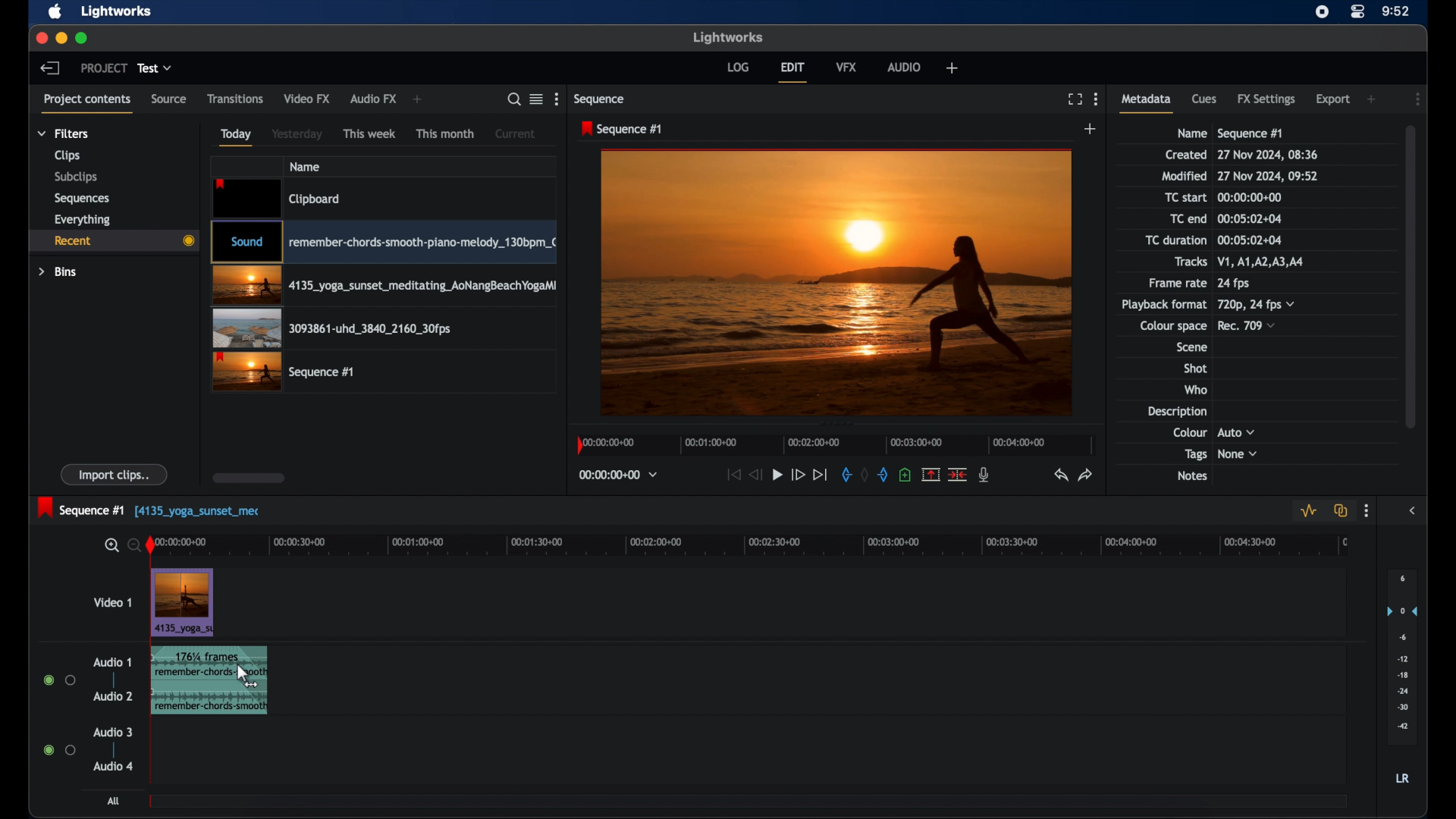 This screenshot has height=819, width=1456. What do you see at coordinates (795, 71) in the screenshot?
I see `edit` at bounding box center [795, 71].